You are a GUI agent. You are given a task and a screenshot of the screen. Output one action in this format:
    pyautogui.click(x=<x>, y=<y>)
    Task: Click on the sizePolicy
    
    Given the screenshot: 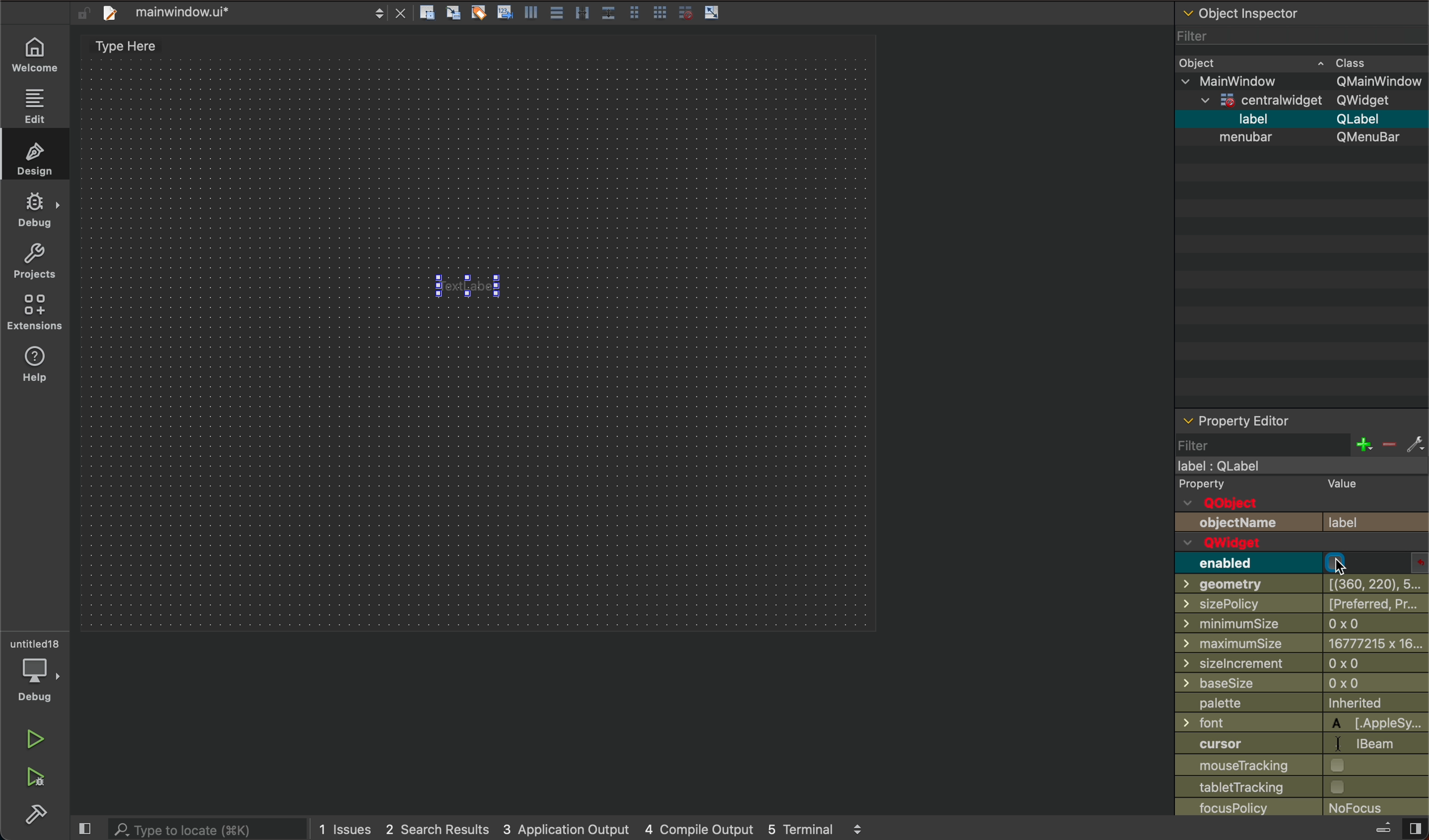 What is the action you would take?
    pyautogui.click(x=1243, y=604)
    